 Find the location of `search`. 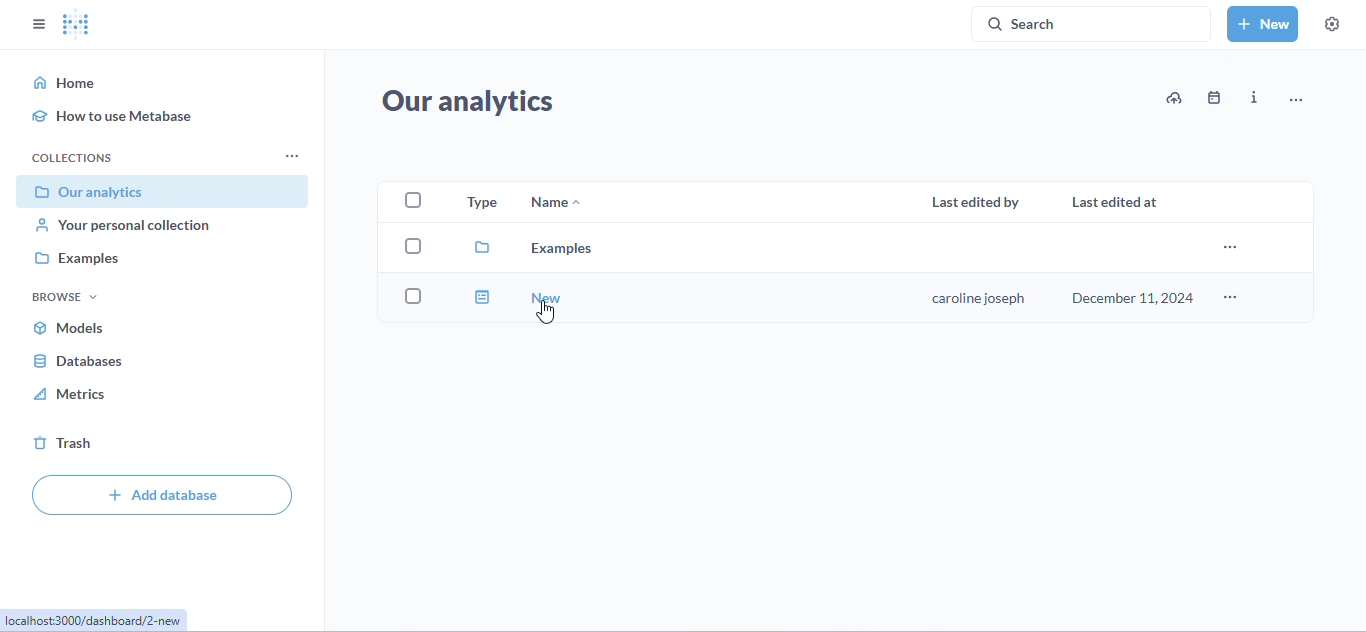

search is located at coordinates (1091, 23).